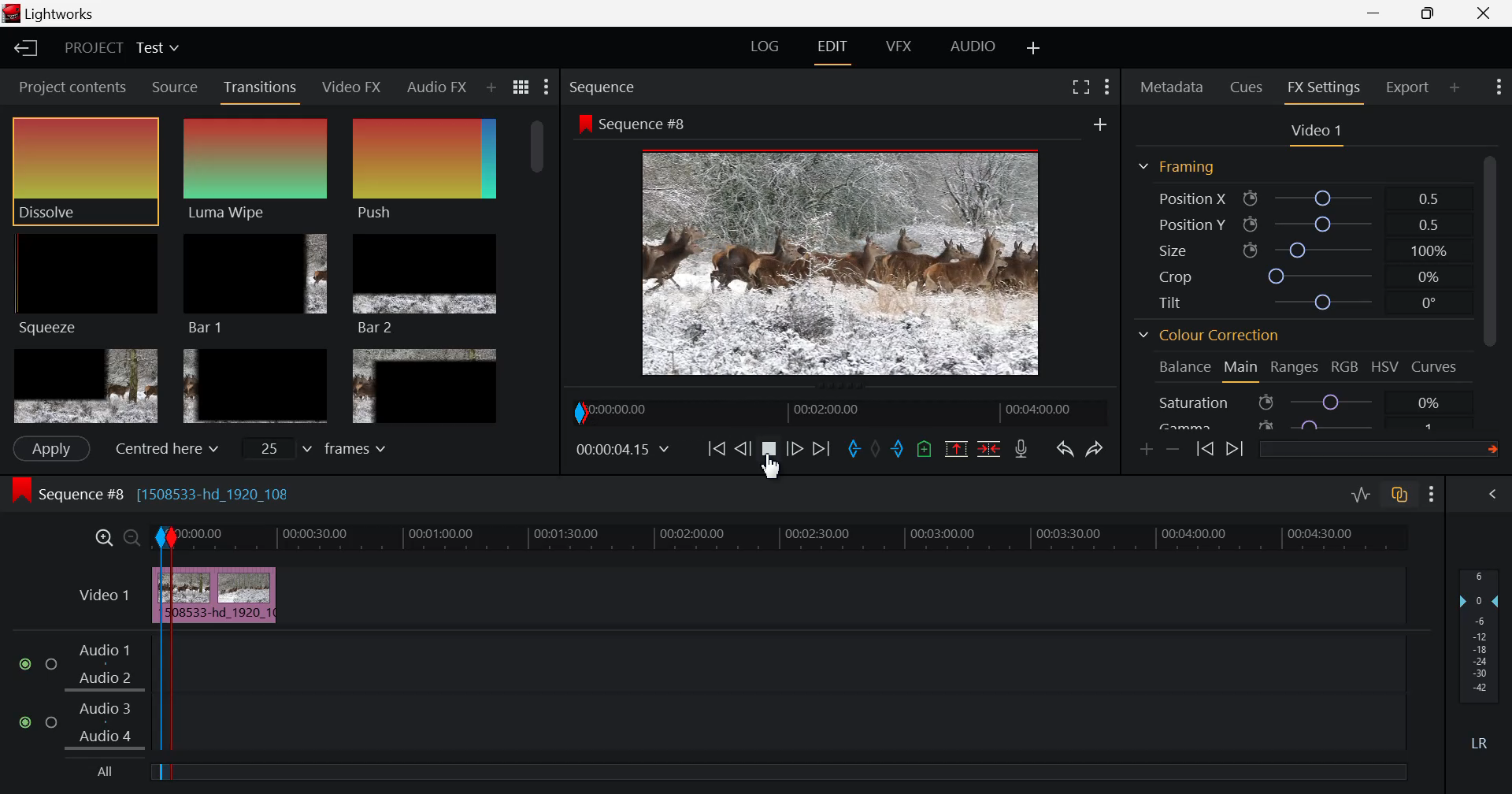 This screenshot has height=794, width=1512. Describe the element at coordinates (778, 473) in the screenshot. I see `Cursor` at that location.